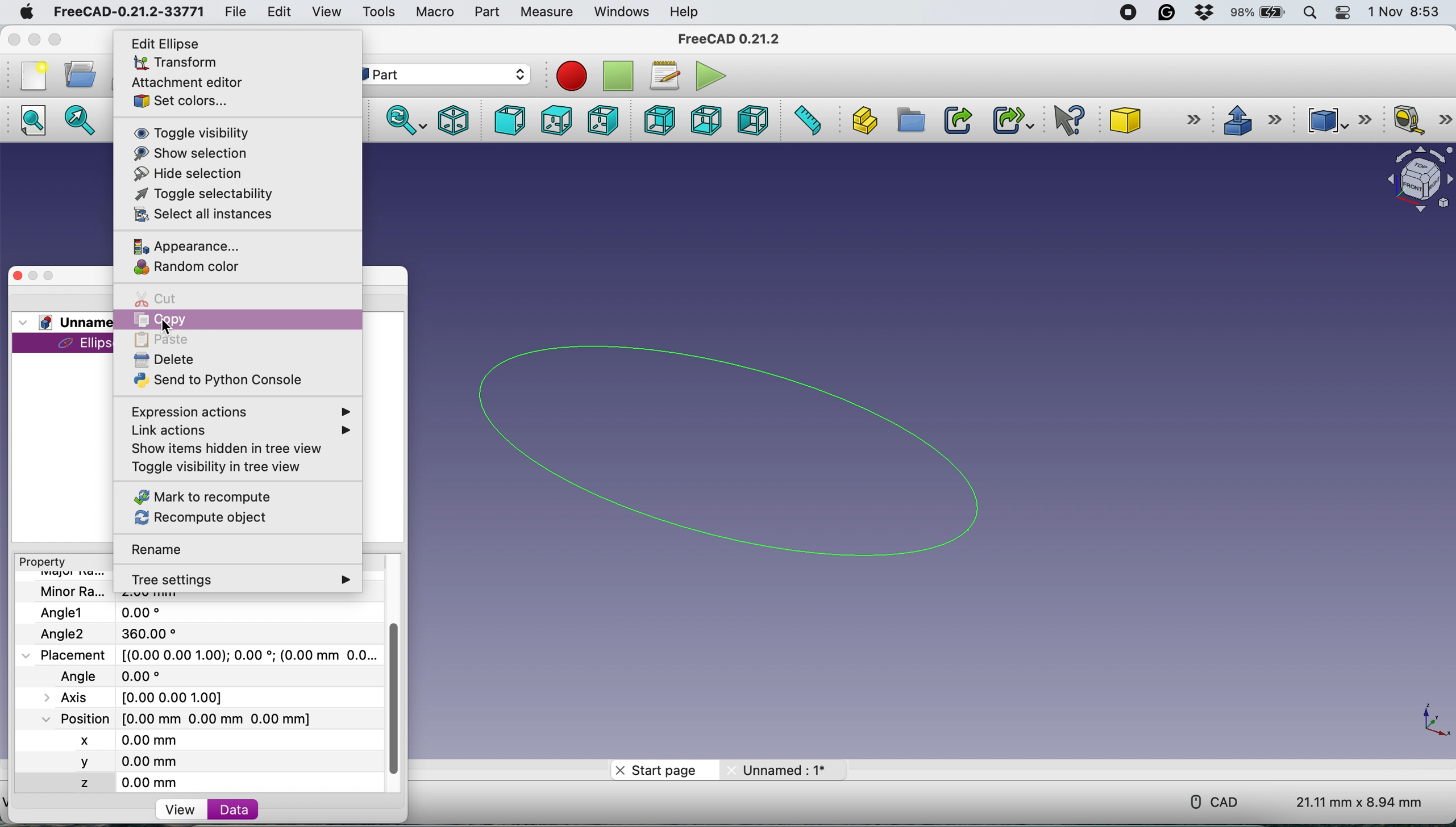 The image size is (1456, 827). Describe the element at coordinates (163, 552) in the screenshot. I see `rename` at that location.